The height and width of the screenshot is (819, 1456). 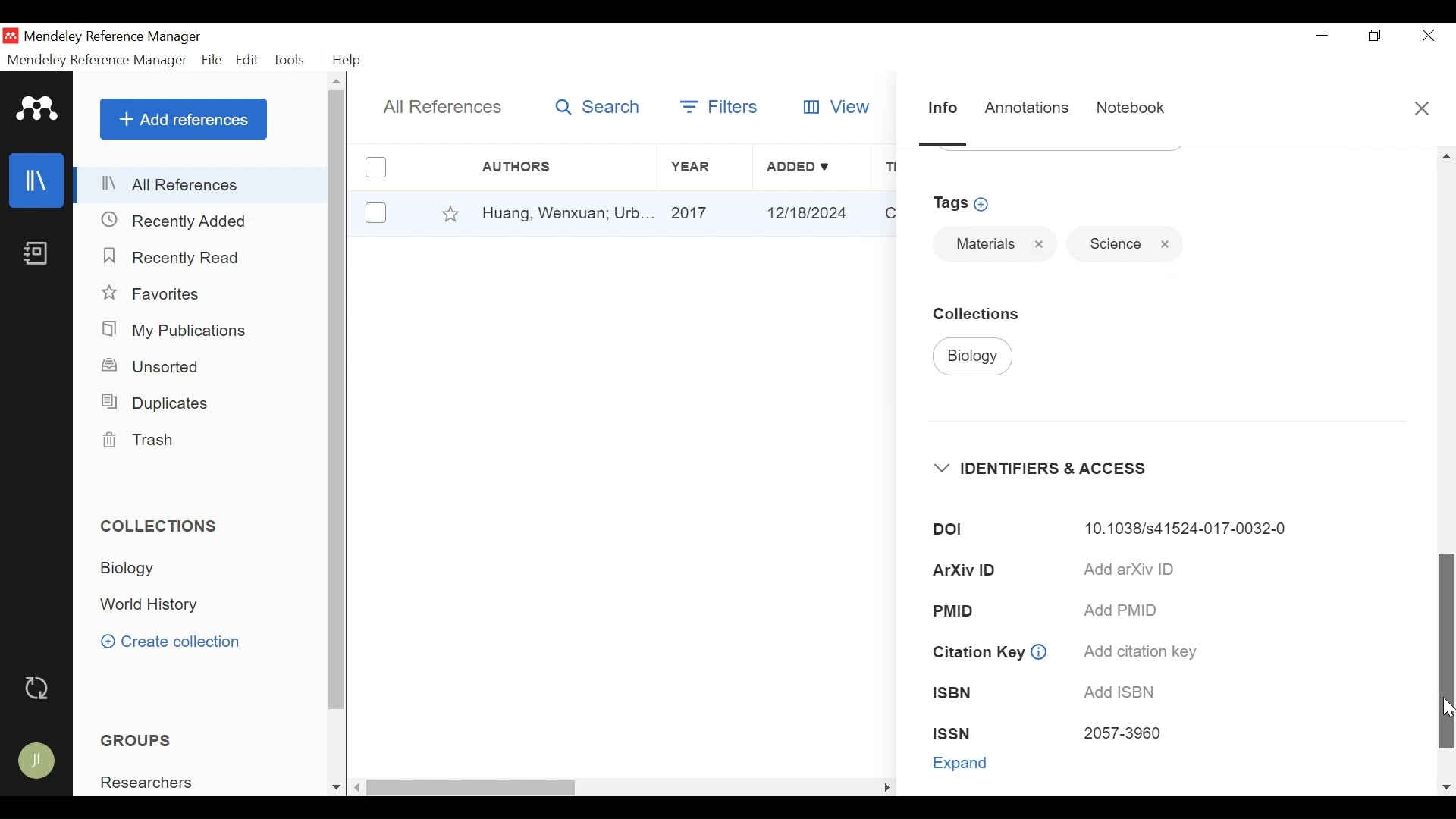 I want to click on Groups, so click(x=136, y=740).